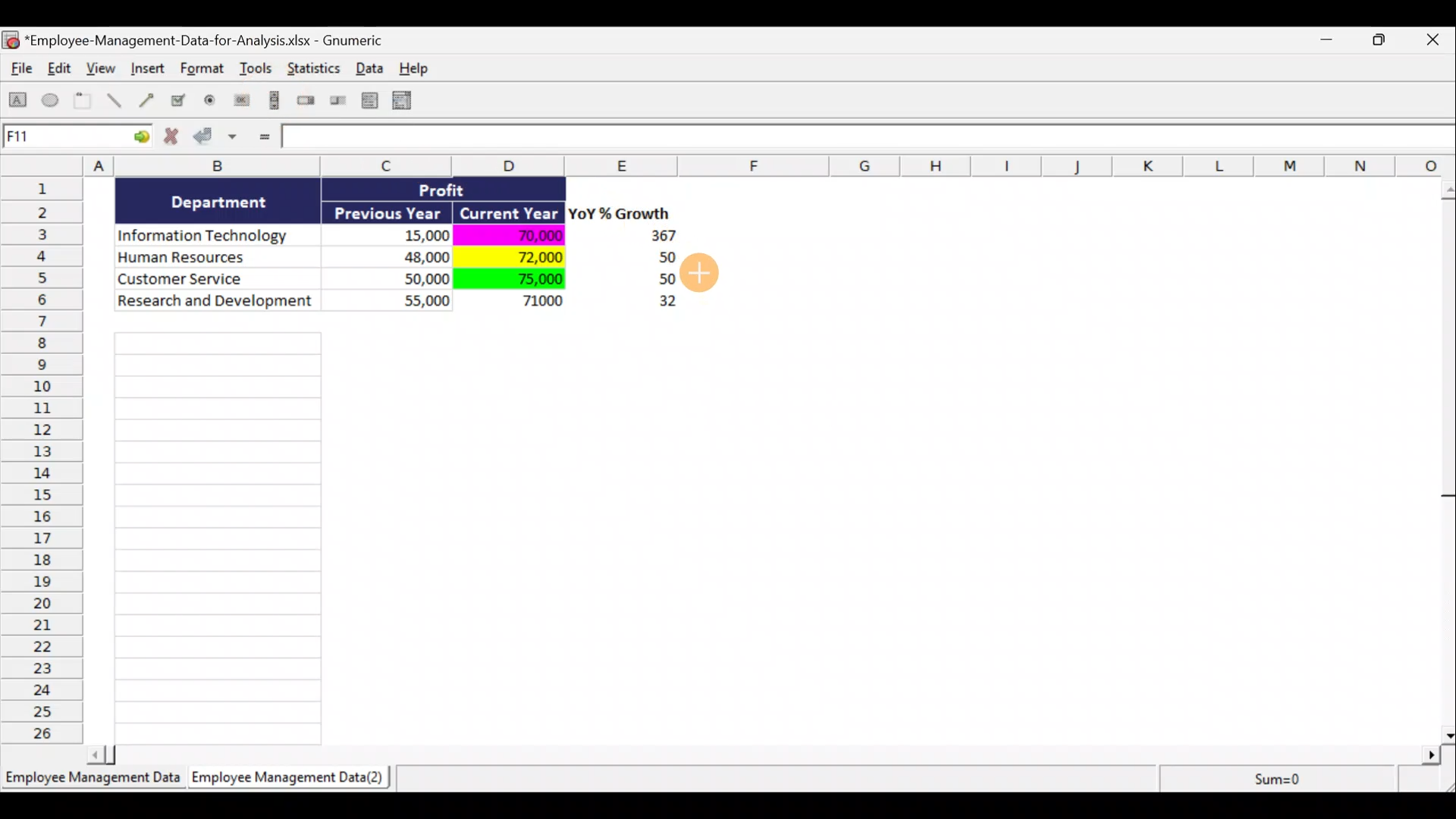  What do you see at coordinates (336, 103) in the screenshot?
I see `Create a slider` at bounding box center [336, 103].